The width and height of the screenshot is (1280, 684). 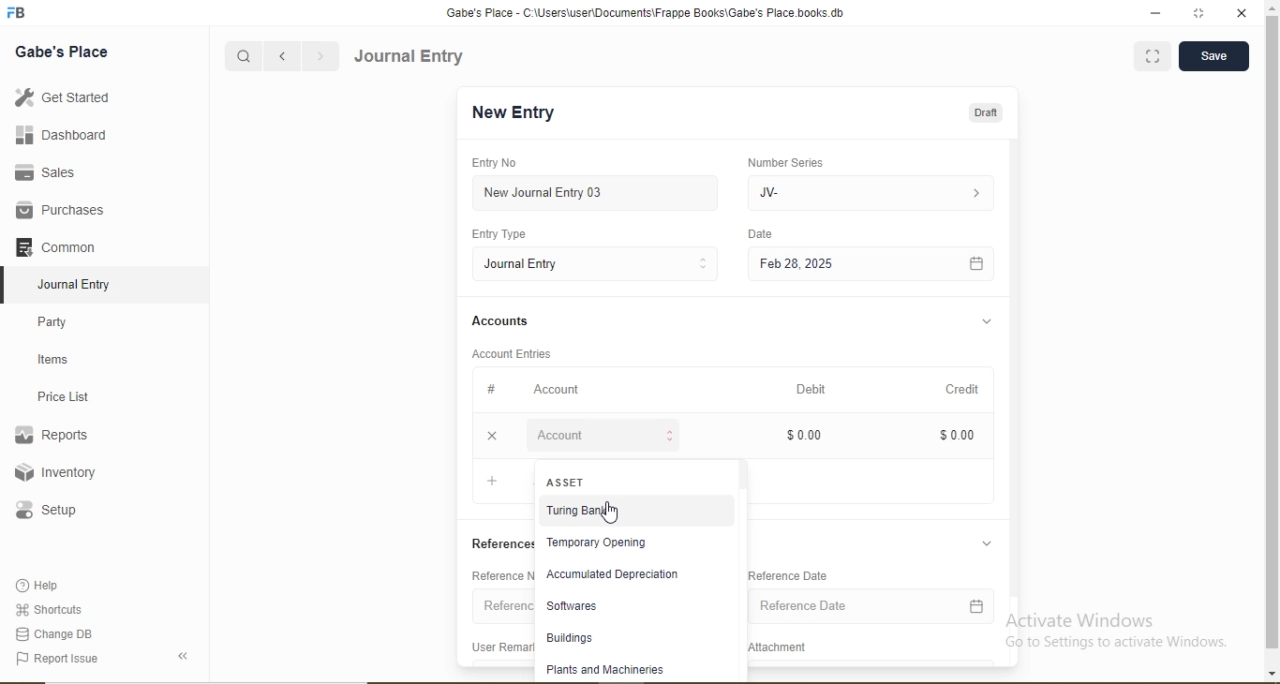 What do you see at coordinates (56, 659) in the screenshot?
I see `Report Issue` at bounding box center [56, 659].